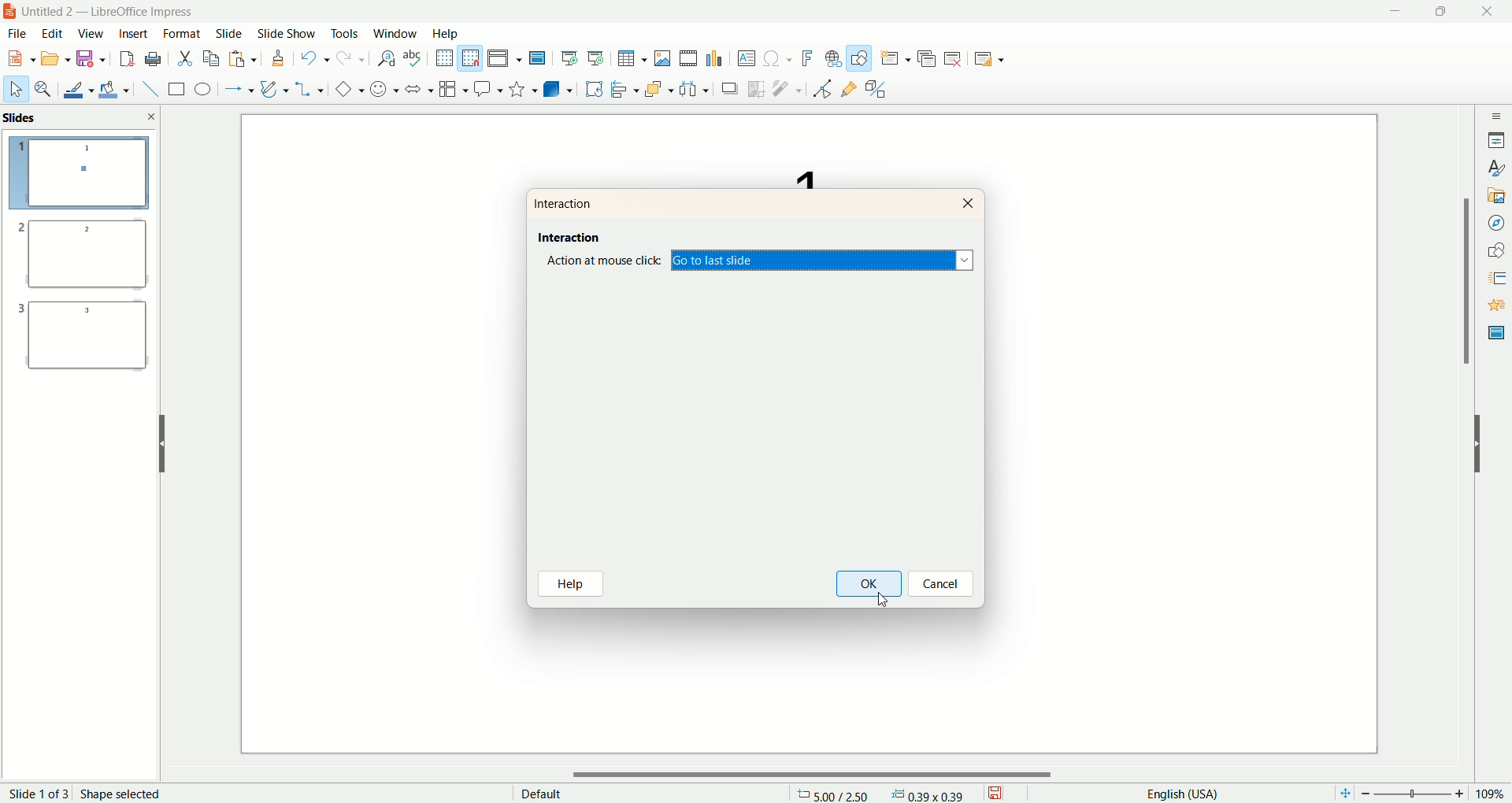 The image size is (1512, 803). I want to click on sidebar settings, so click(1495, 113).